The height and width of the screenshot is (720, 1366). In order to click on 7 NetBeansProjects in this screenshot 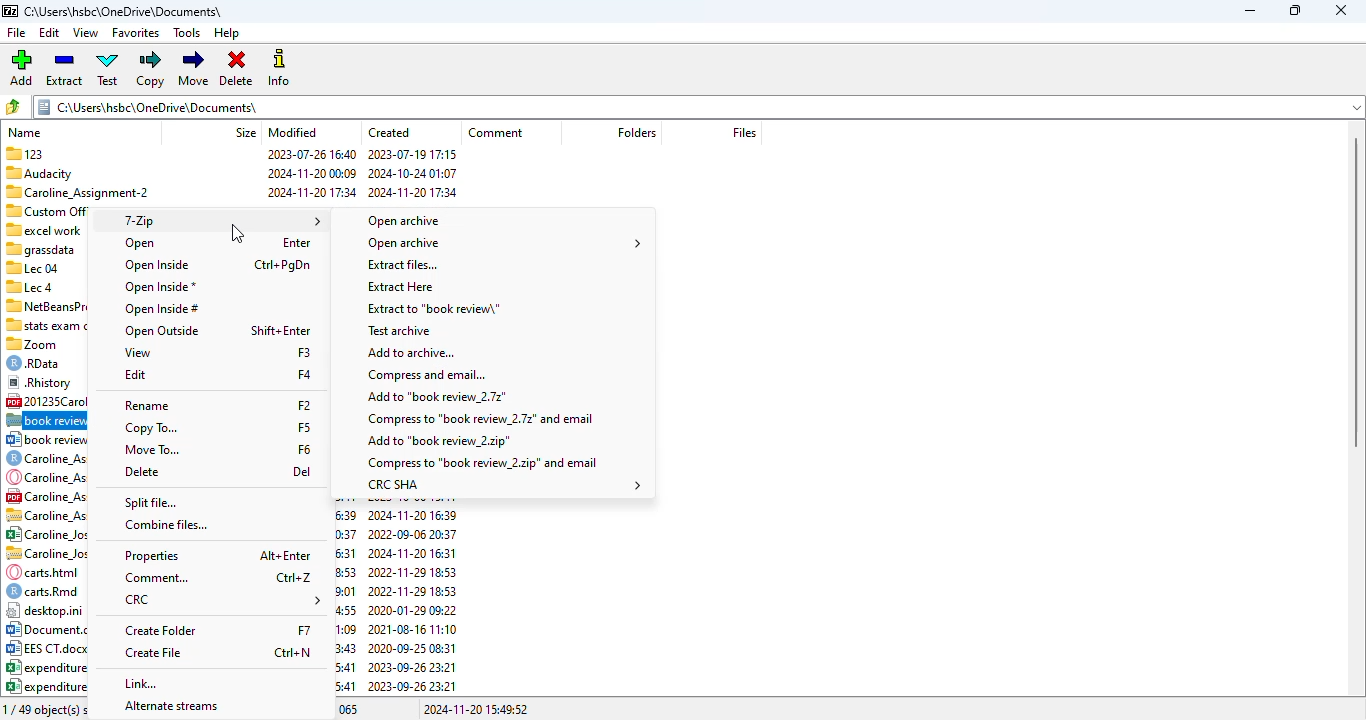, I will do `click(45, 306)`.